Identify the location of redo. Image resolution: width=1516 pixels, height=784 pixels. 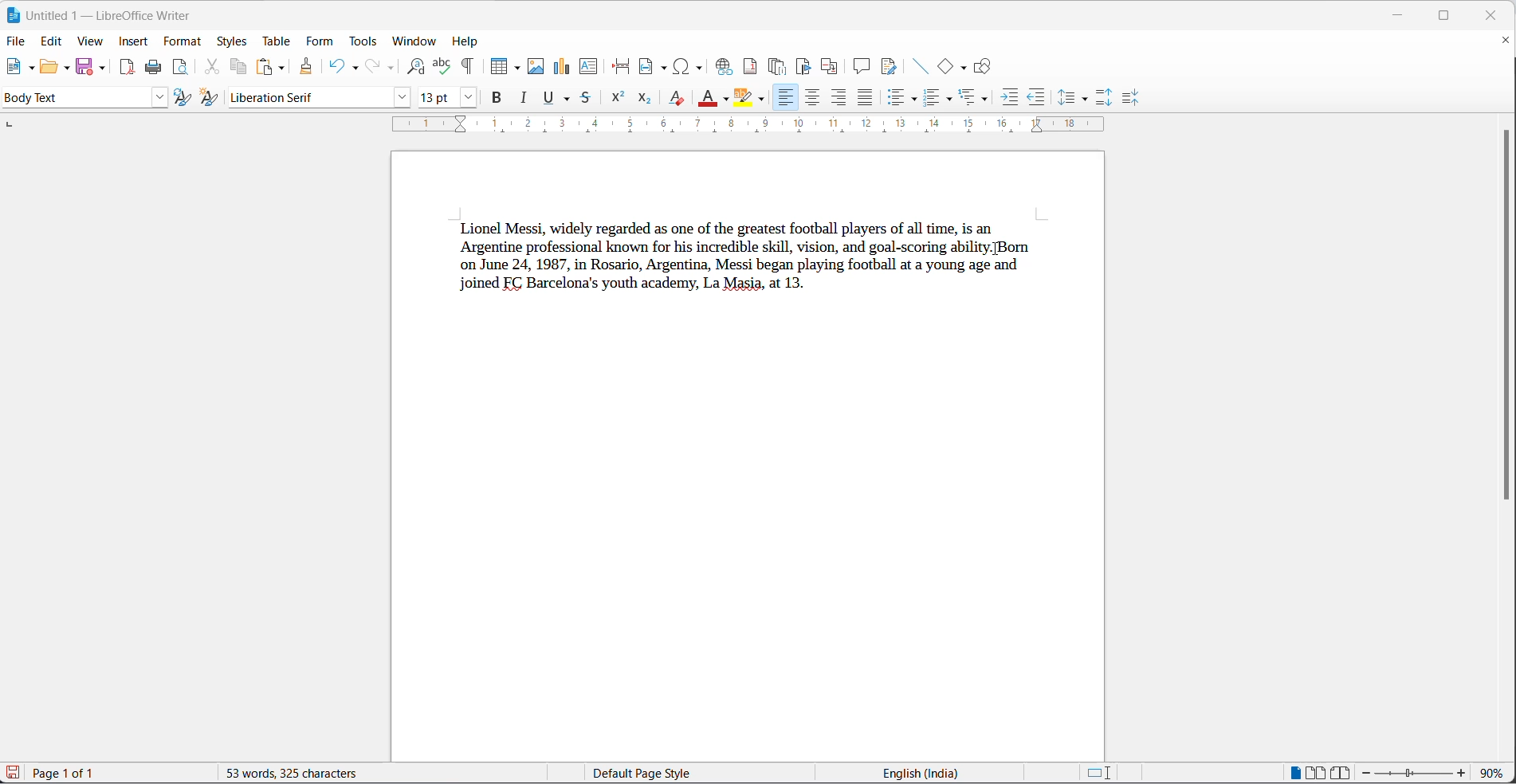
(371, 67).